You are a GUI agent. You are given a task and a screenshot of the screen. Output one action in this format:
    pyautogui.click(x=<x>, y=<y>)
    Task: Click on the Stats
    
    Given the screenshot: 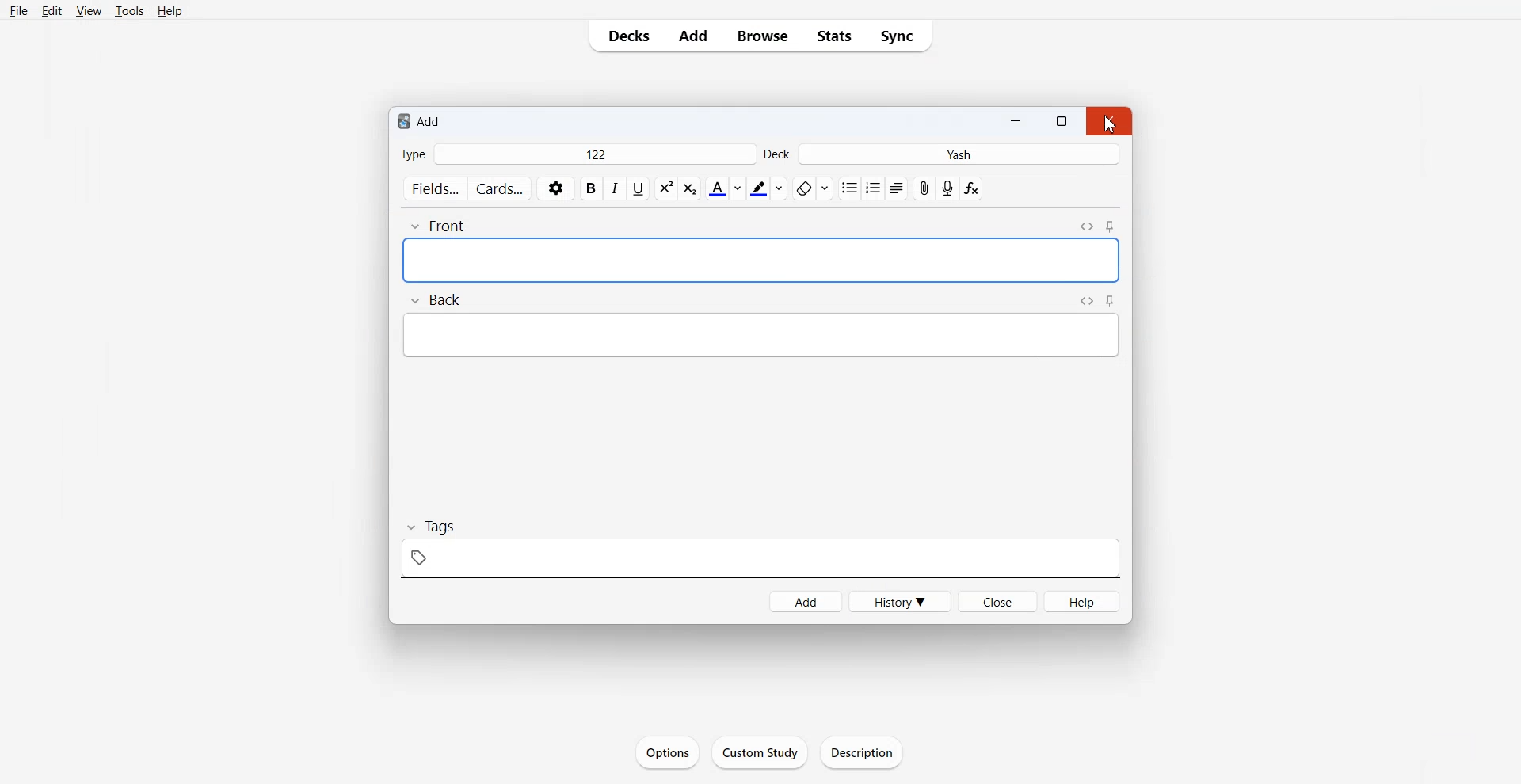 What is the action you would take?
    pyautogui.click(x=834, y=36)
    